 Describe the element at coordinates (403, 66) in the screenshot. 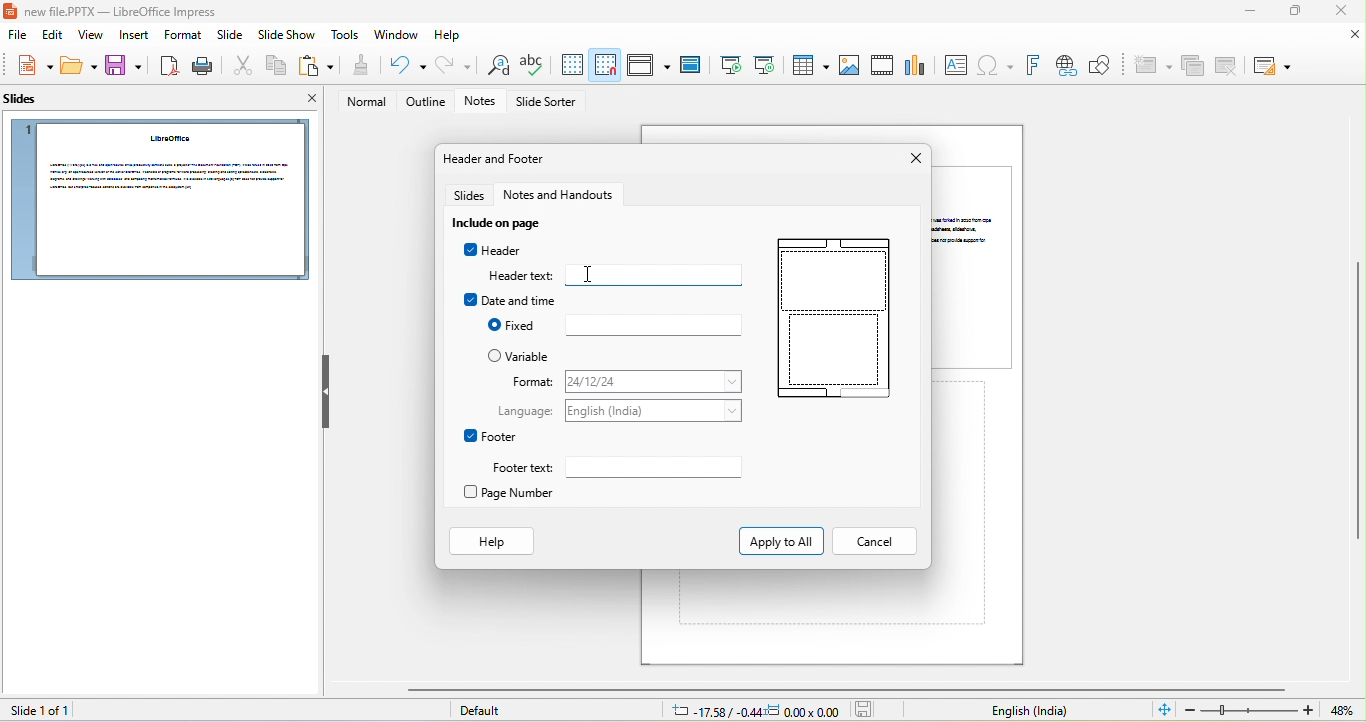

I see `undo` at that location.